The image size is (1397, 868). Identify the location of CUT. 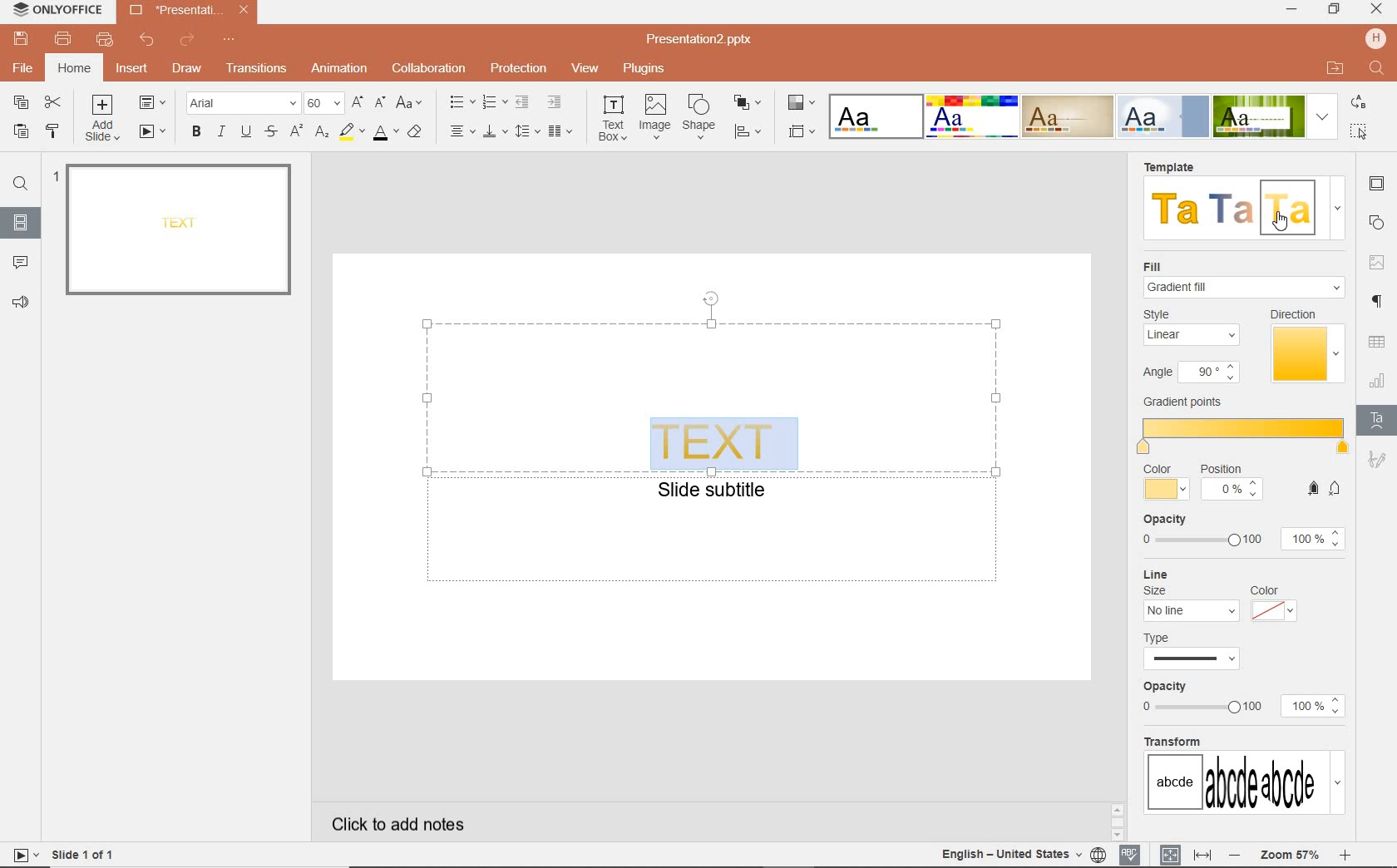
(54, 104).